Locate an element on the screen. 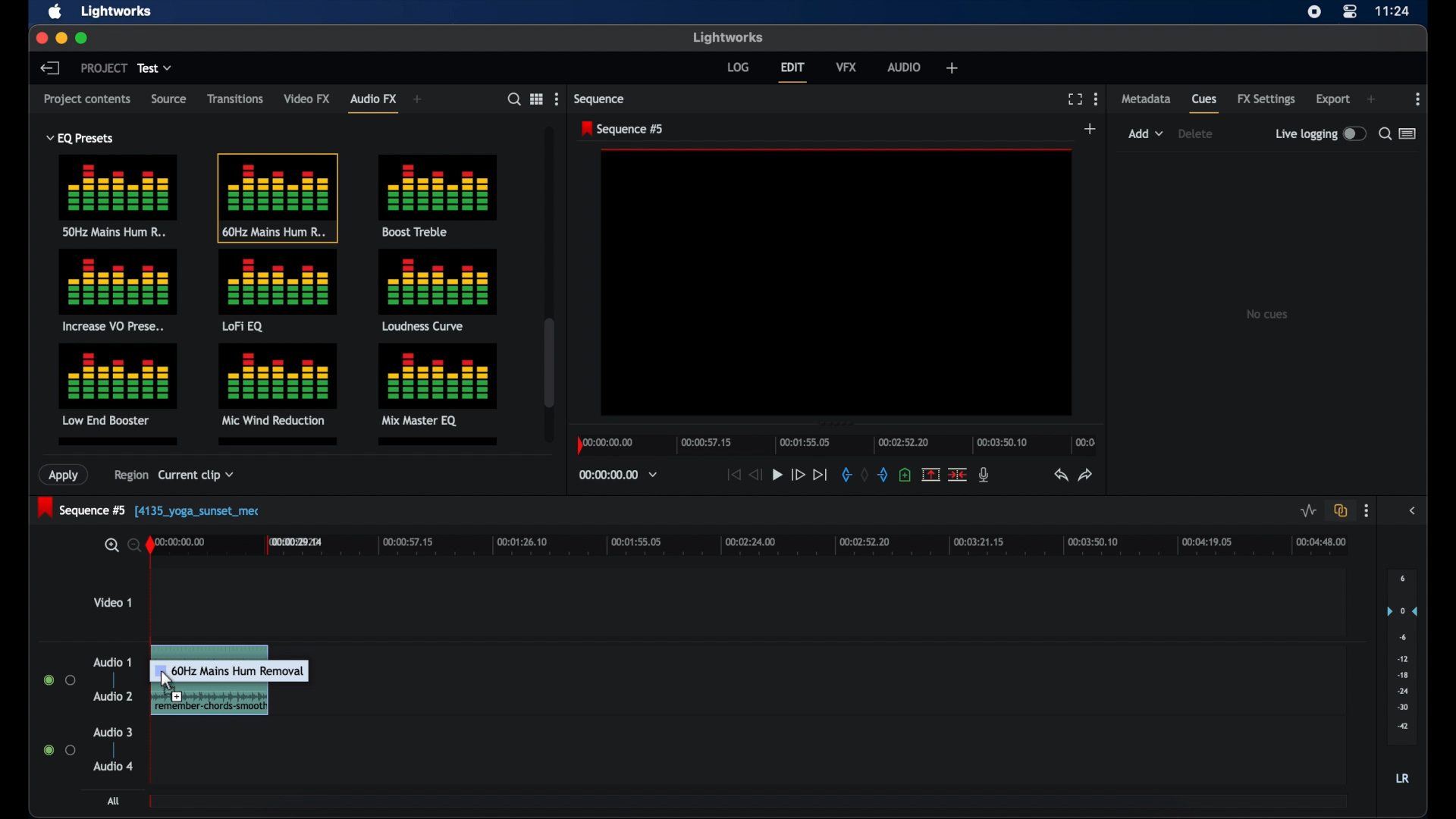  add is located at coordinates (952, 67).